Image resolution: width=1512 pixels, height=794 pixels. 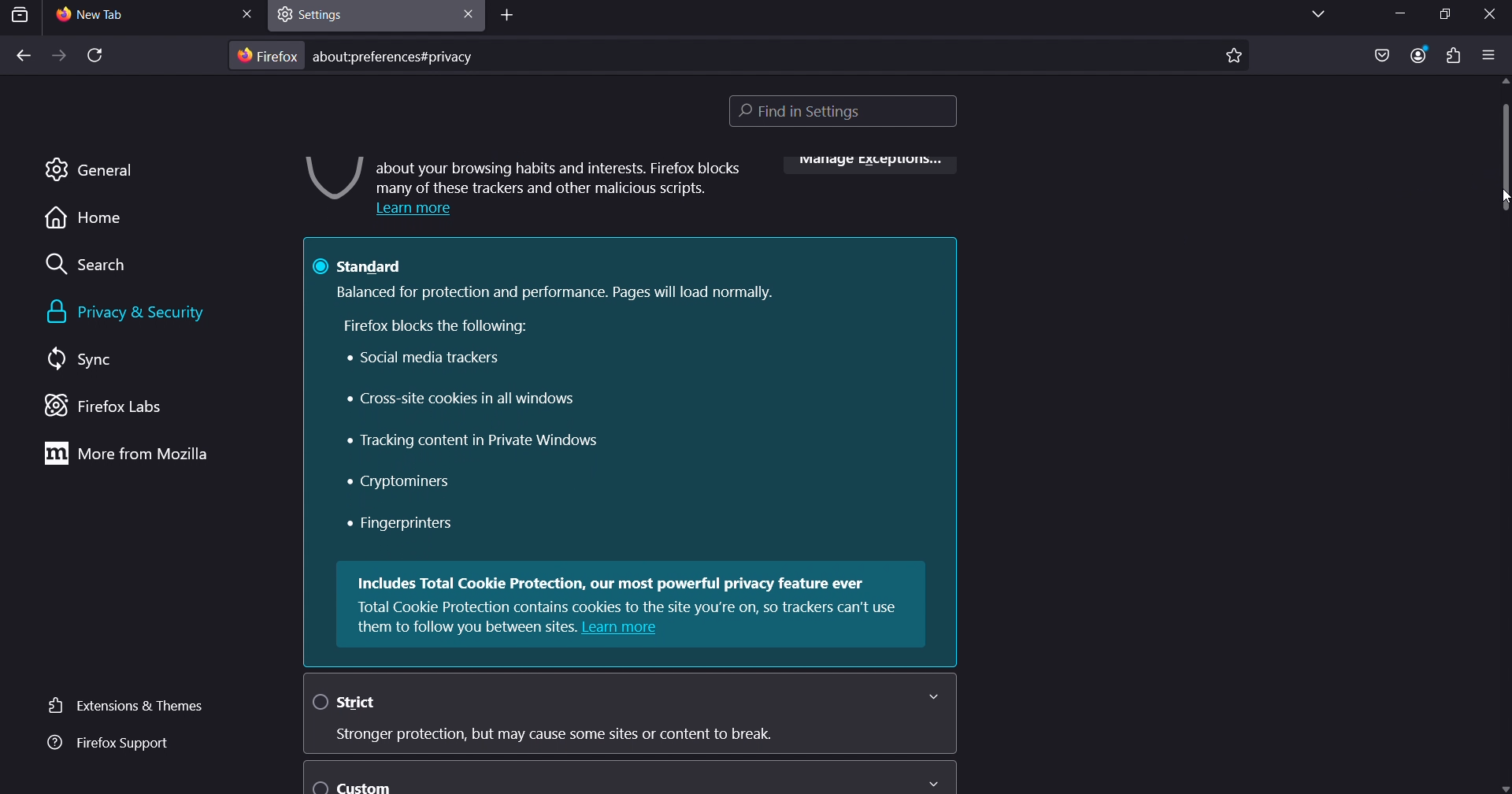 I want to click on Includes Total Cookie Protection, our most powerful privacy feature ever
Total Cookie Protection contains cookies to the site you're on, so trackers can't use, so click(x=634, y=595).